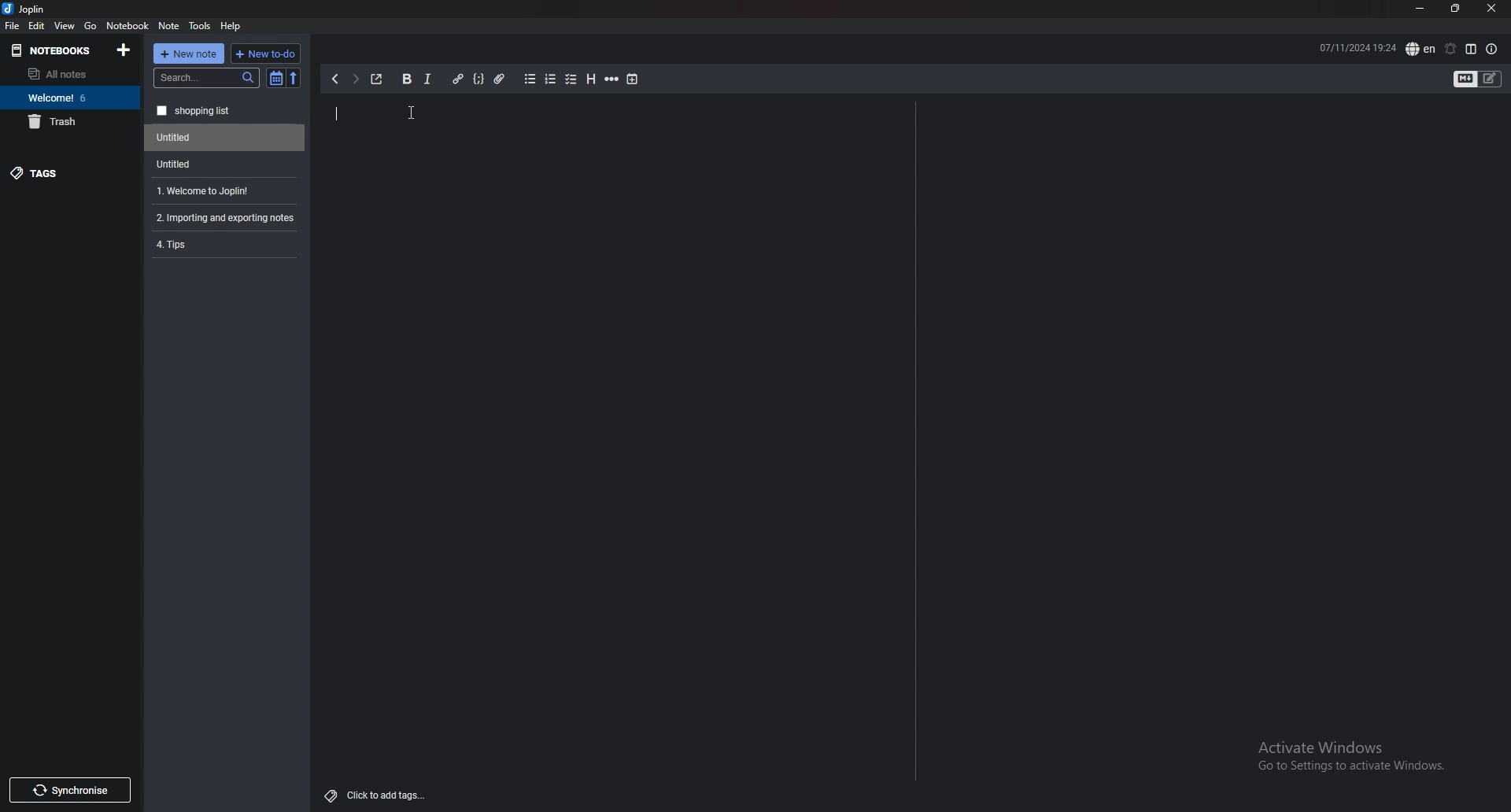 The width and height of the screenshot is (1511, 812). Describe the element at coordinates (1492, 50) in the screenshot. I see `note properties` at that location.